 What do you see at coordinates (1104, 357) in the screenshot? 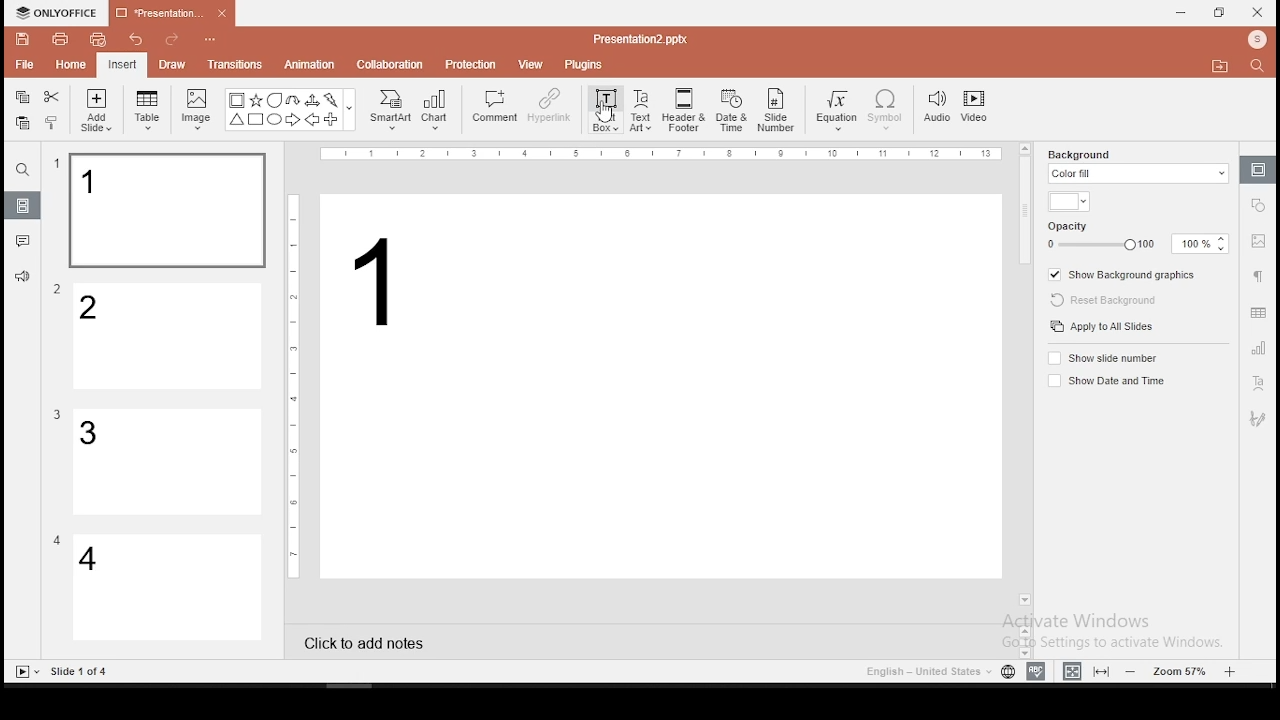
I see `show slide number on/off` at bounding box center [1104, 357].